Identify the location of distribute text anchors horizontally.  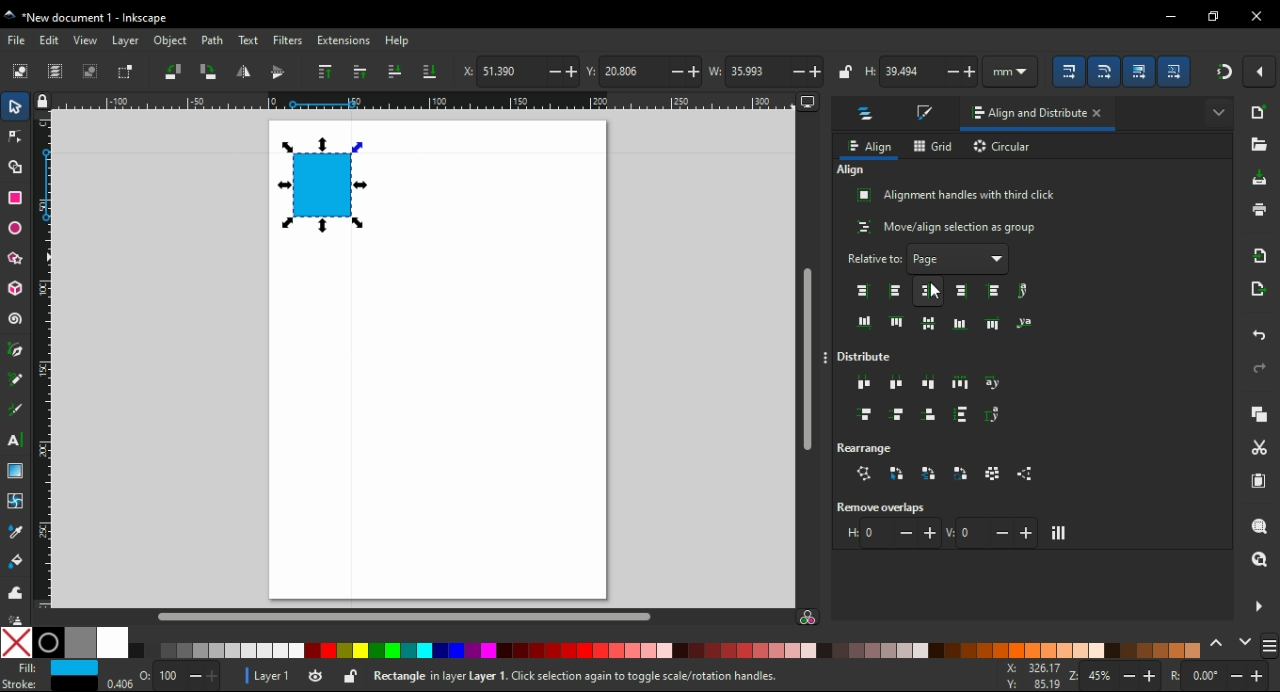
(994, 384).